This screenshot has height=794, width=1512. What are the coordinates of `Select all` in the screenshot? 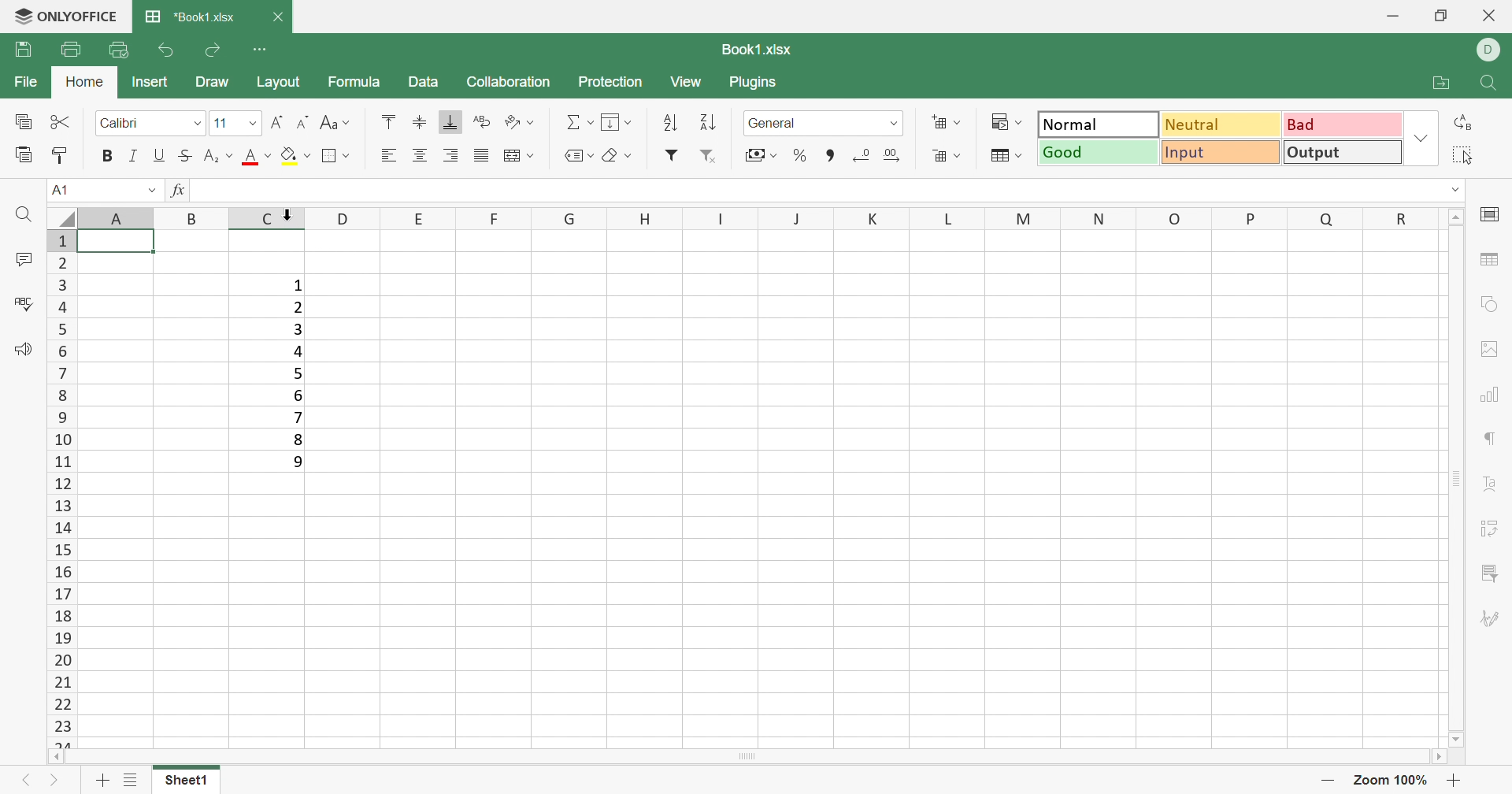 It's located at (62, 216).